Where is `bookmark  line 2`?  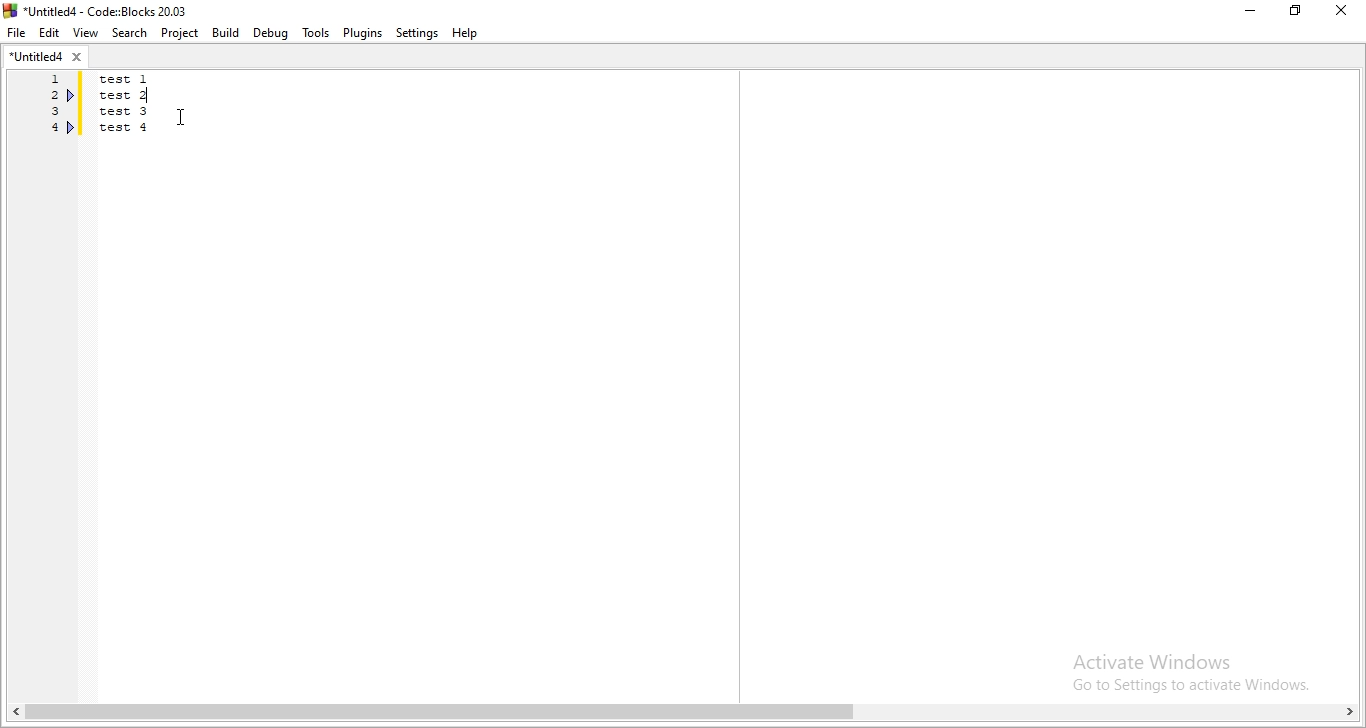
bookmark  line 2 is located at coordinates (73, 98).